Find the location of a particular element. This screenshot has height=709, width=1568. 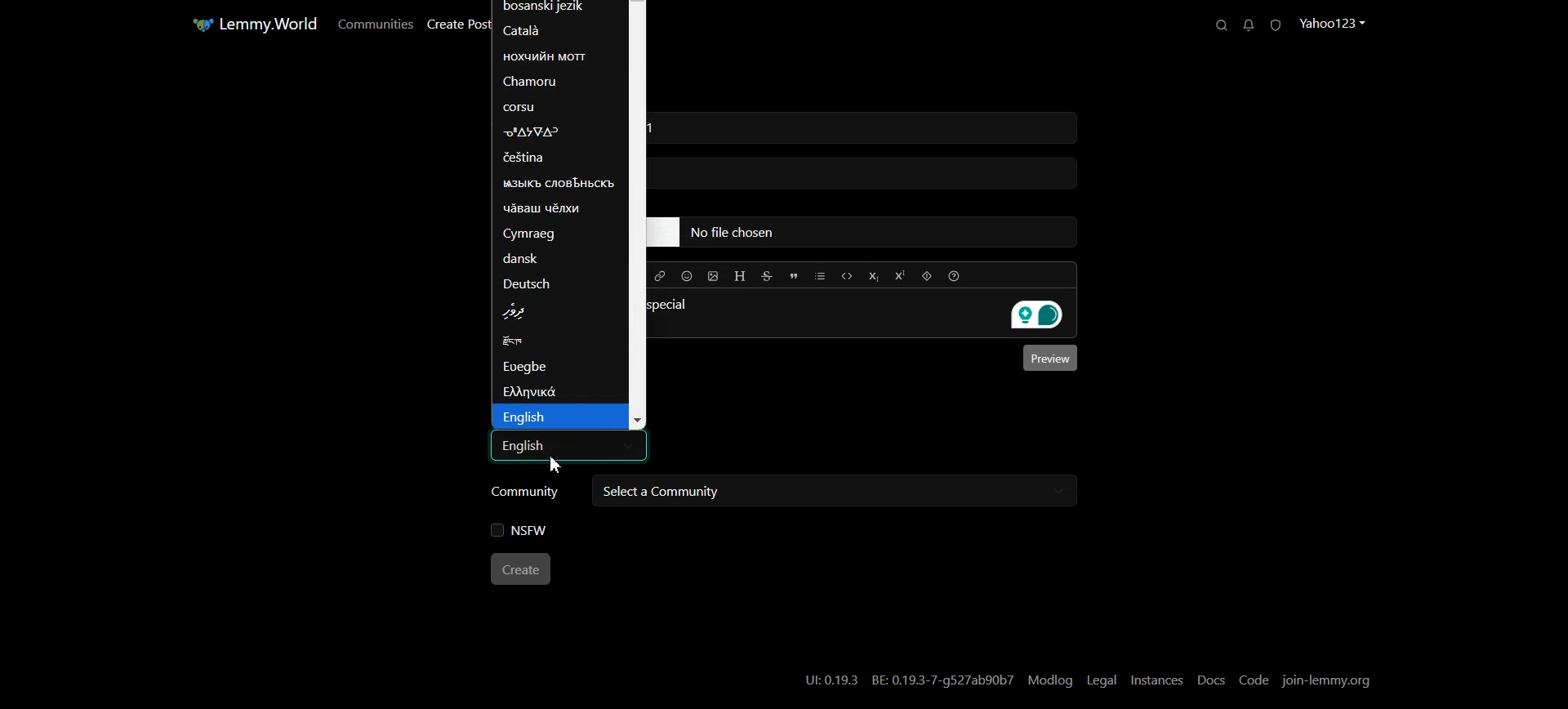

Home Page is located at coordinates (251, 25).